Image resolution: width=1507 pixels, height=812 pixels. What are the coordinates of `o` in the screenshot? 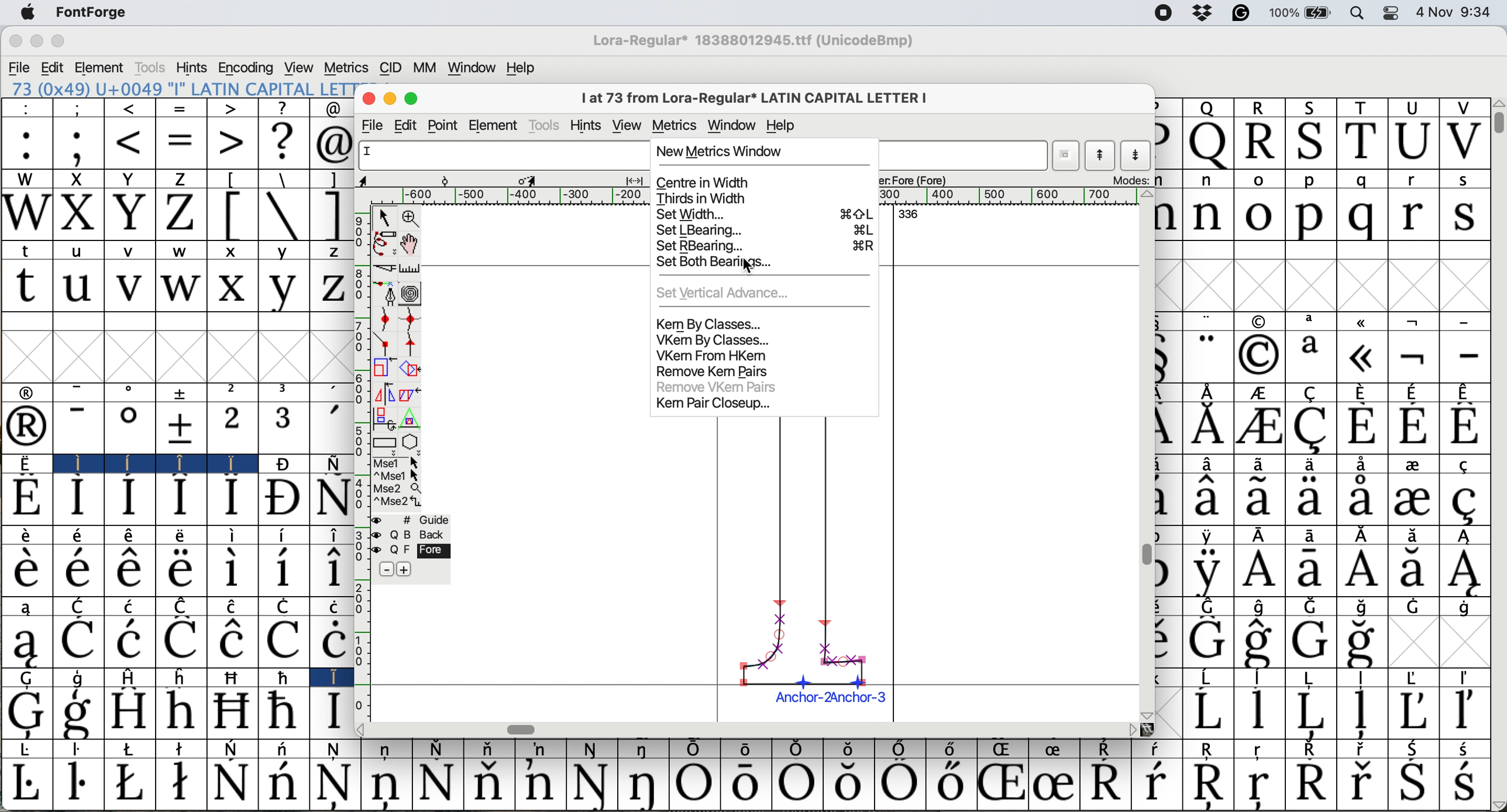 It's located at (1261, 214).